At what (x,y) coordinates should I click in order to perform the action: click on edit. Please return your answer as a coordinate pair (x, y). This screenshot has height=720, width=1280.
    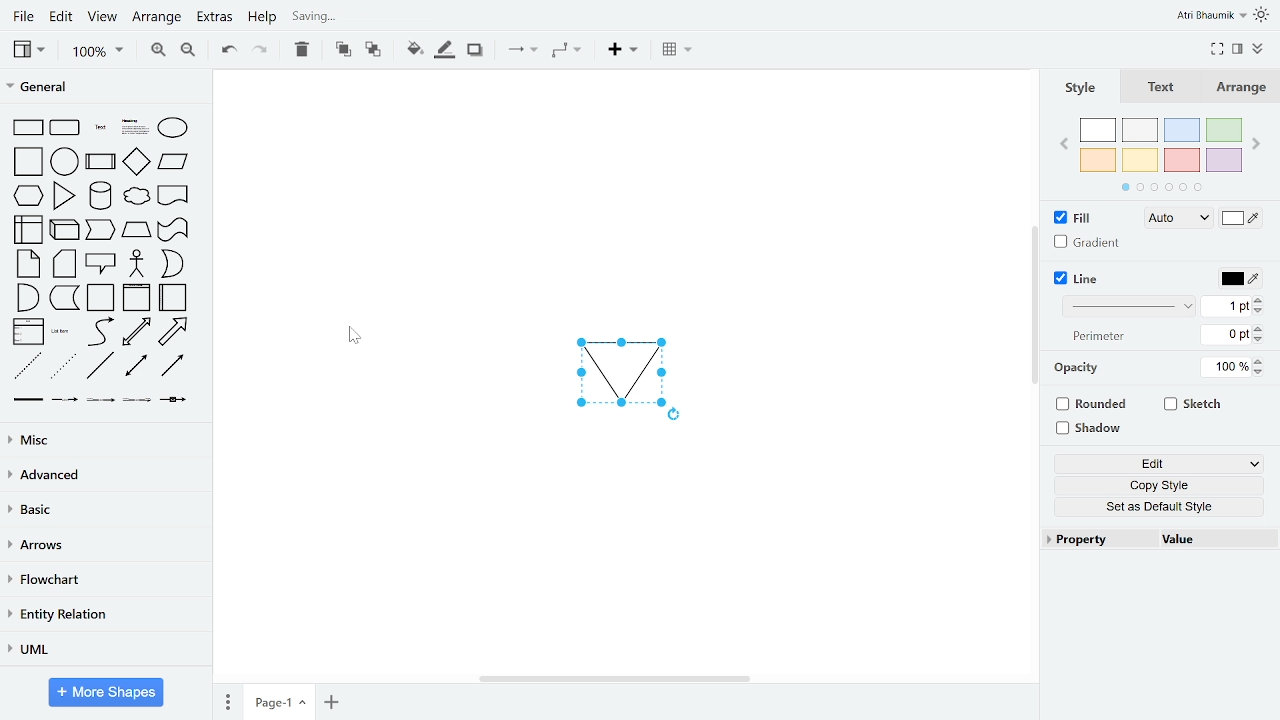
    Looking at the image, I should click on (62, 17).